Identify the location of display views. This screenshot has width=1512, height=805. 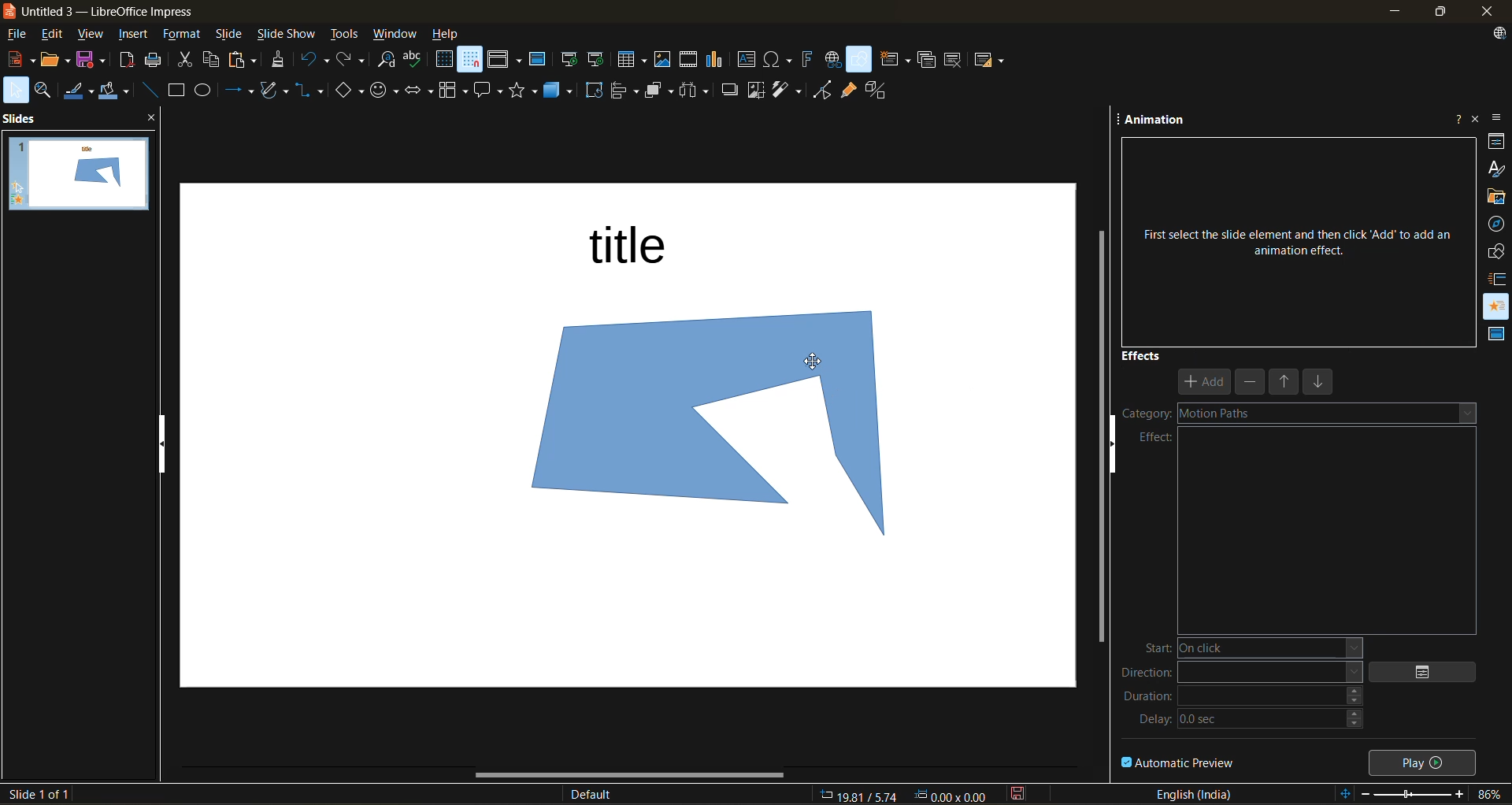
(503, 61).